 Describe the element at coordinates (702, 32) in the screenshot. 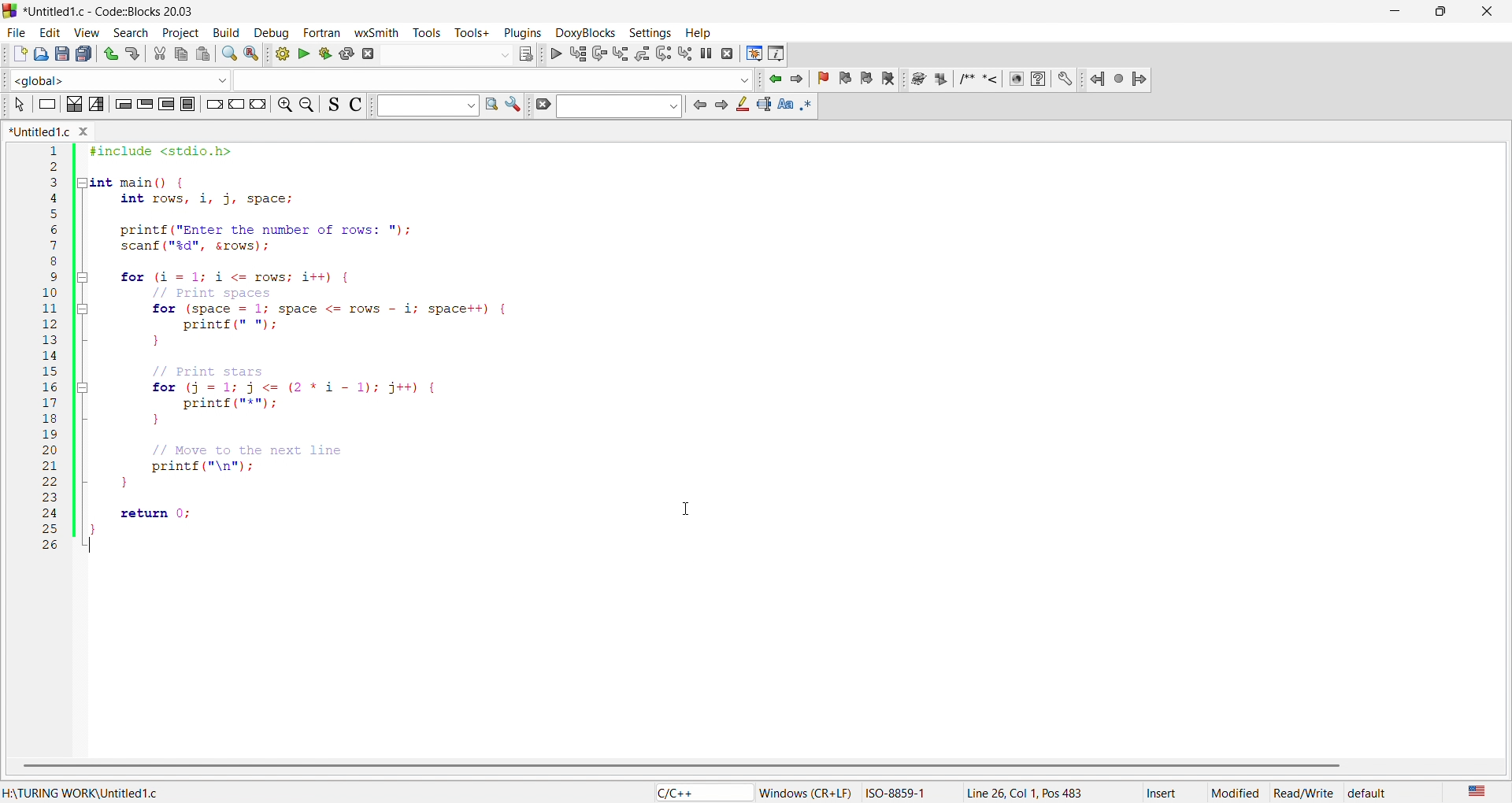

I see `help` at that location.